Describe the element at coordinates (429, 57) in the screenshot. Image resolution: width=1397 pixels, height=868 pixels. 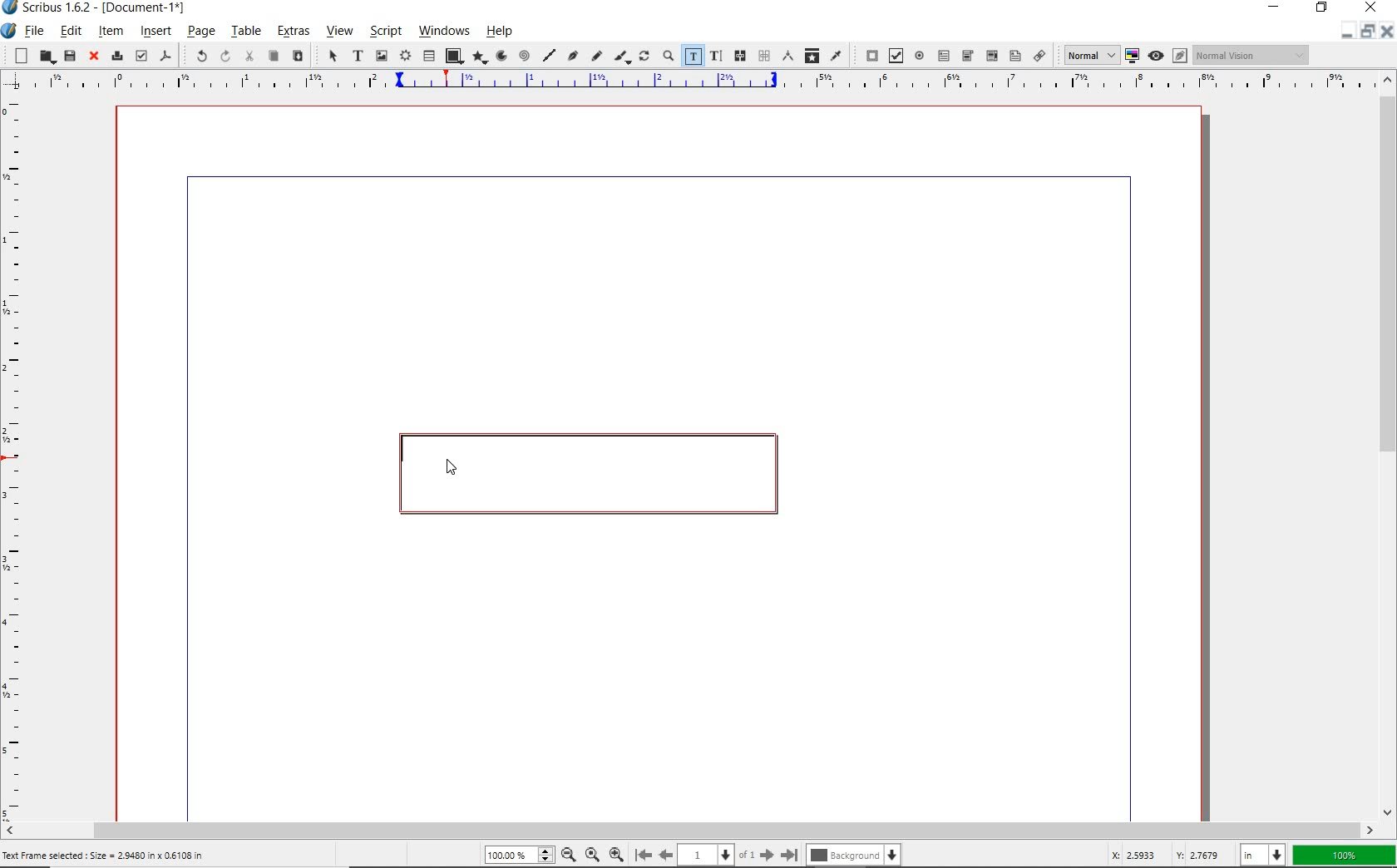
I see `table` at that location.